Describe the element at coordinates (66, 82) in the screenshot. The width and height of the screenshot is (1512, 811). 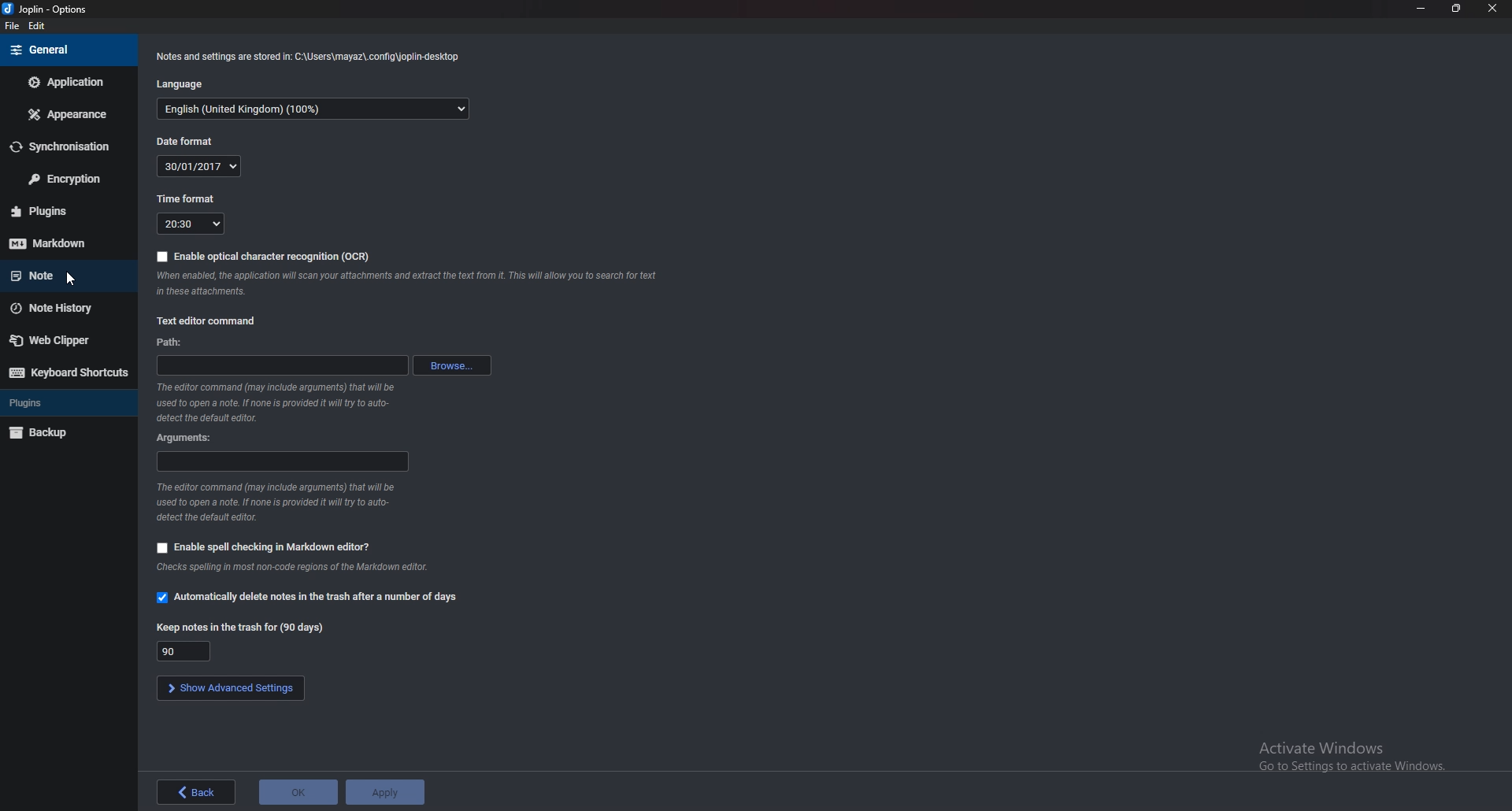
I see `Application` at that location.